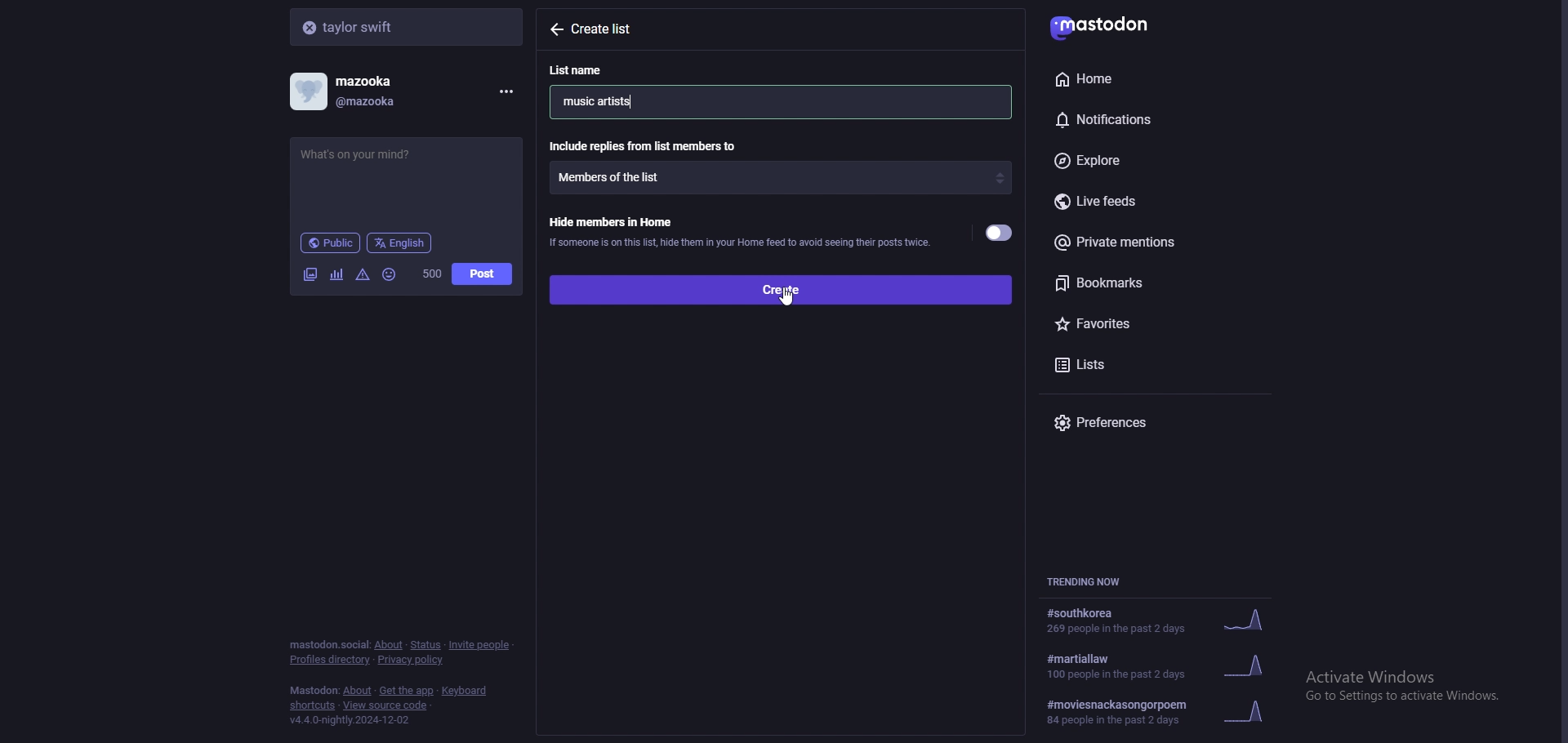 This screenshot has height=743, width=1568. Describe the element at coordinates (336, 274) in the screenshot. I see `poll` at that location.